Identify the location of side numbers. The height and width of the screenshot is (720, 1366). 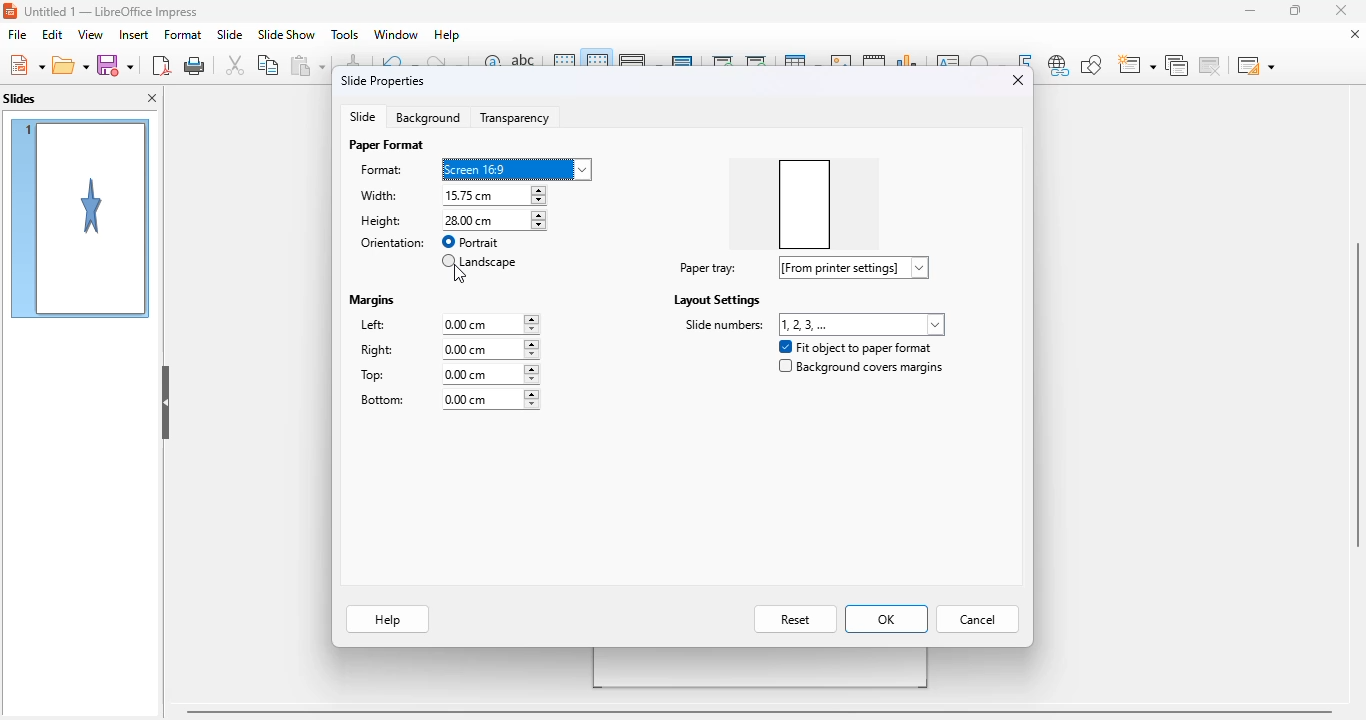
(720, 329).